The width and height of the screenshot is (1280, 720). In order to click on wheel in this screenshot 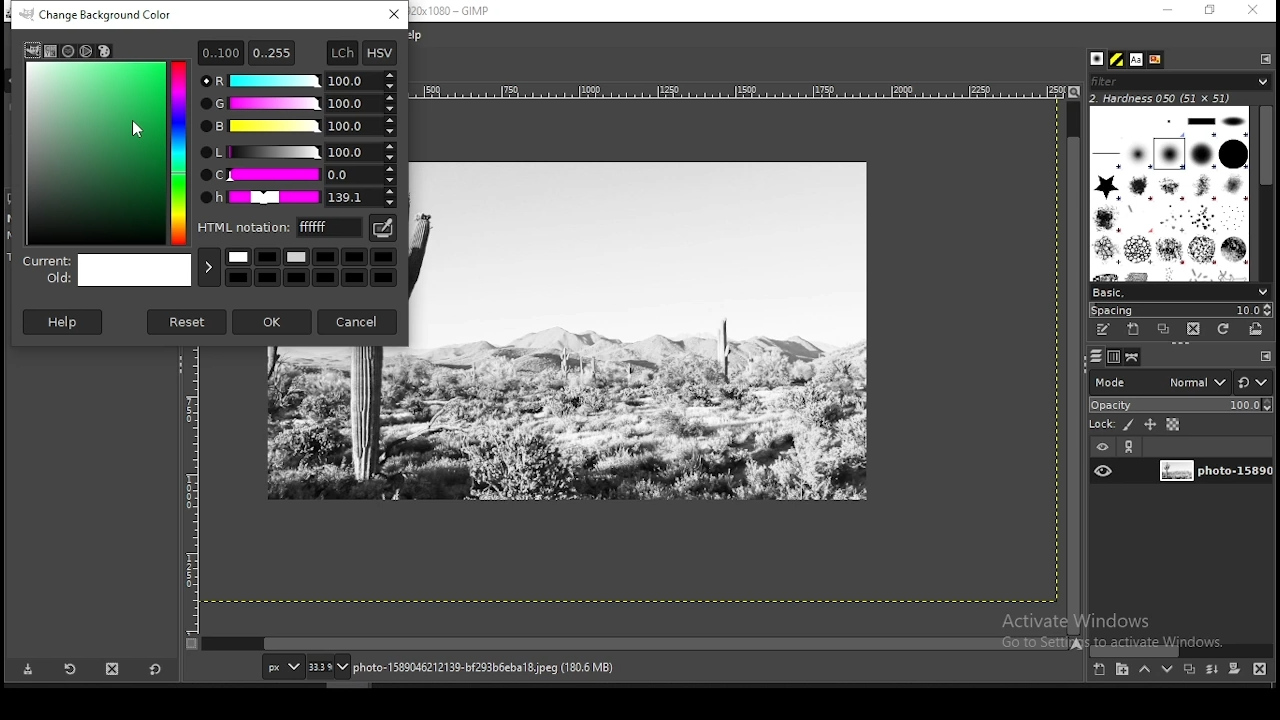, I will do `click(87, 51)`.